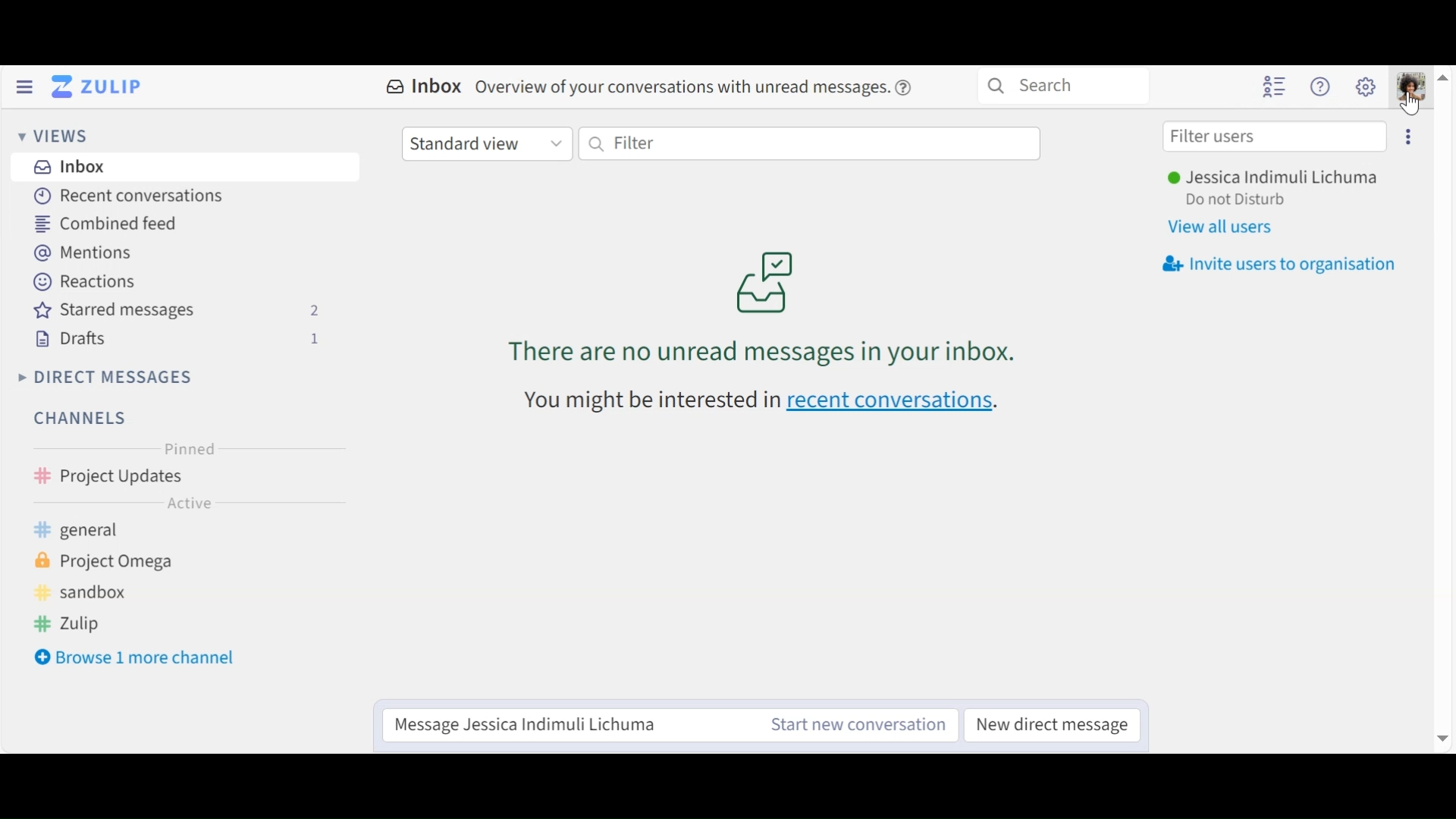 The width and height of the screenshot is (1456, 819). Describe the element at coordinates (654, 89) in the screenshot. I see `Inbox` at that location.